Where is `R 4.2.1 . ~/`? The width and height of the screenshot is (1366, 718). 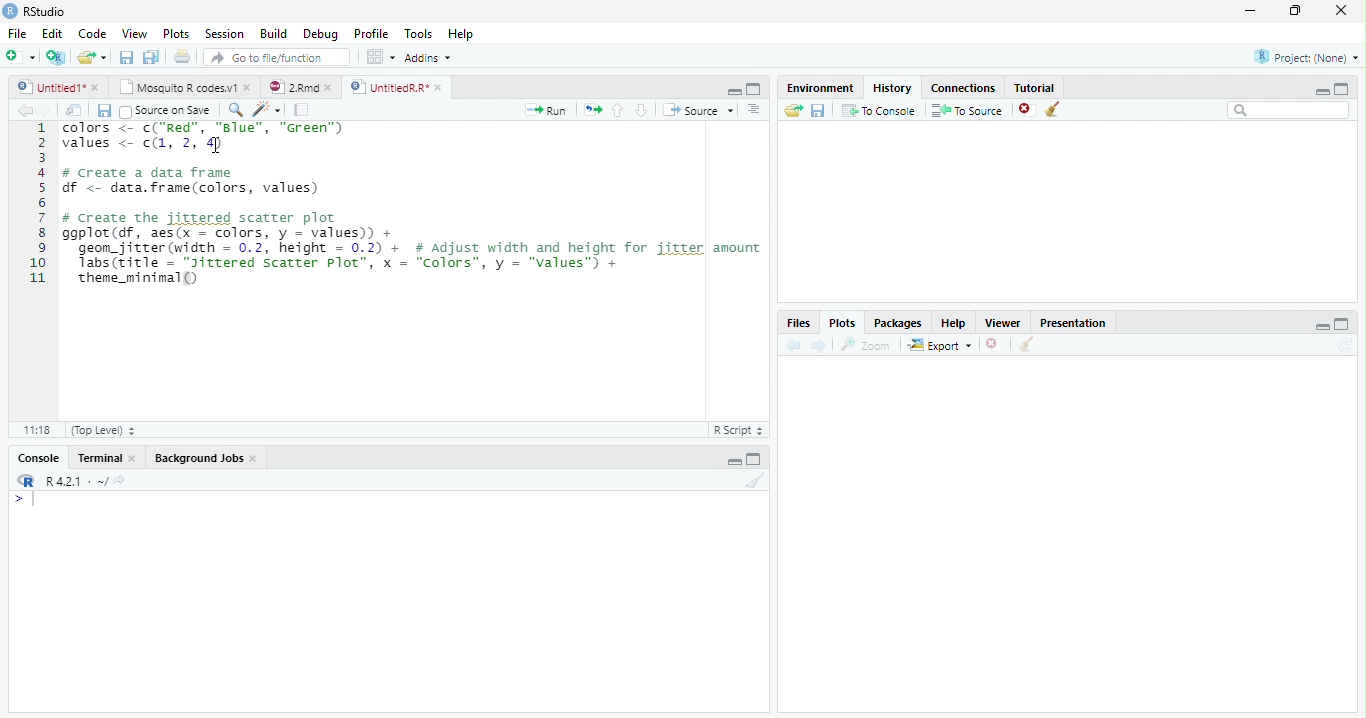
R 4.2.1 . ~/ is located at coordinates (76, 481).